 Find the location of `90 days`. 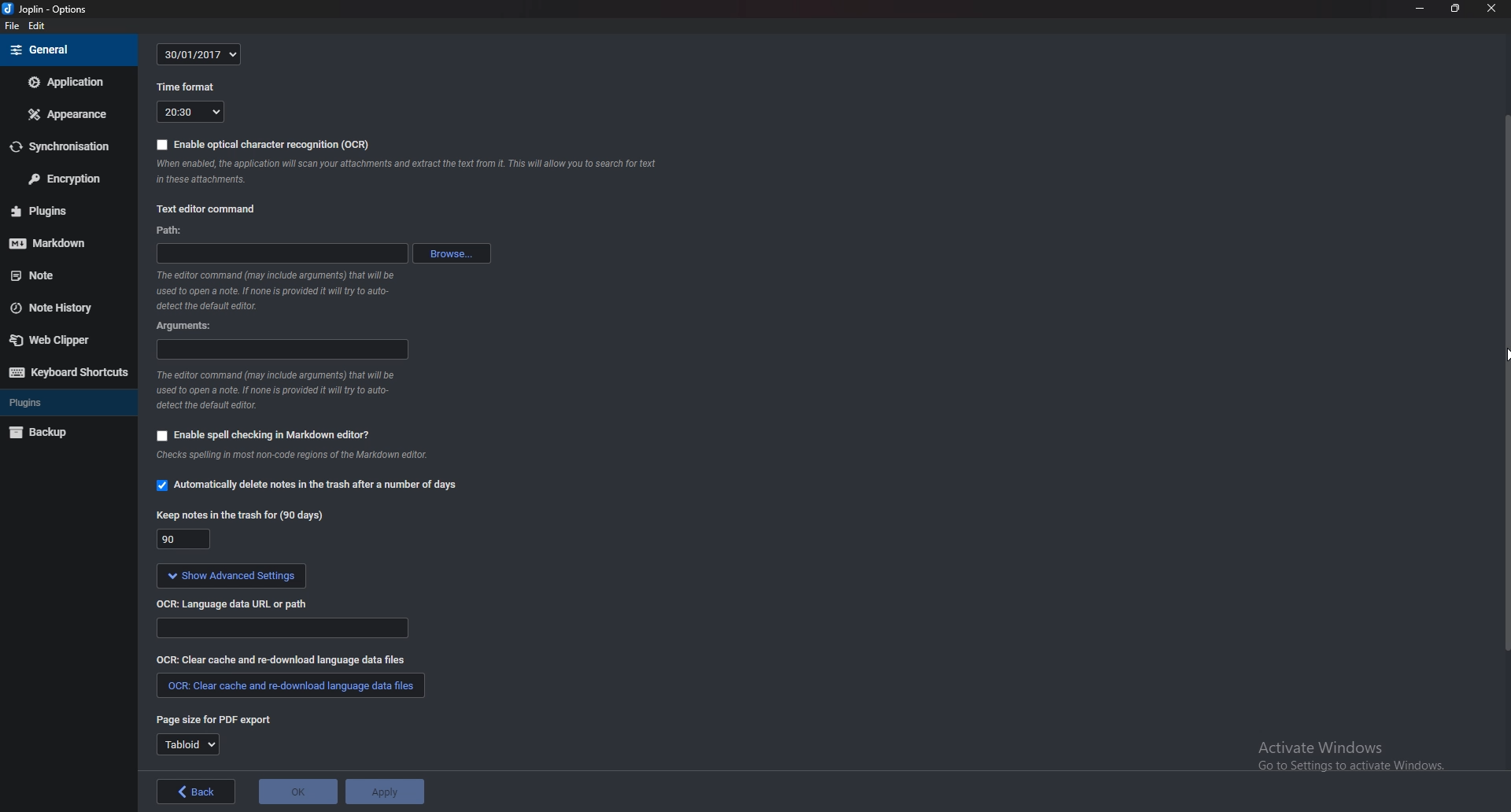

90 days is located at coordinates (183, 541).